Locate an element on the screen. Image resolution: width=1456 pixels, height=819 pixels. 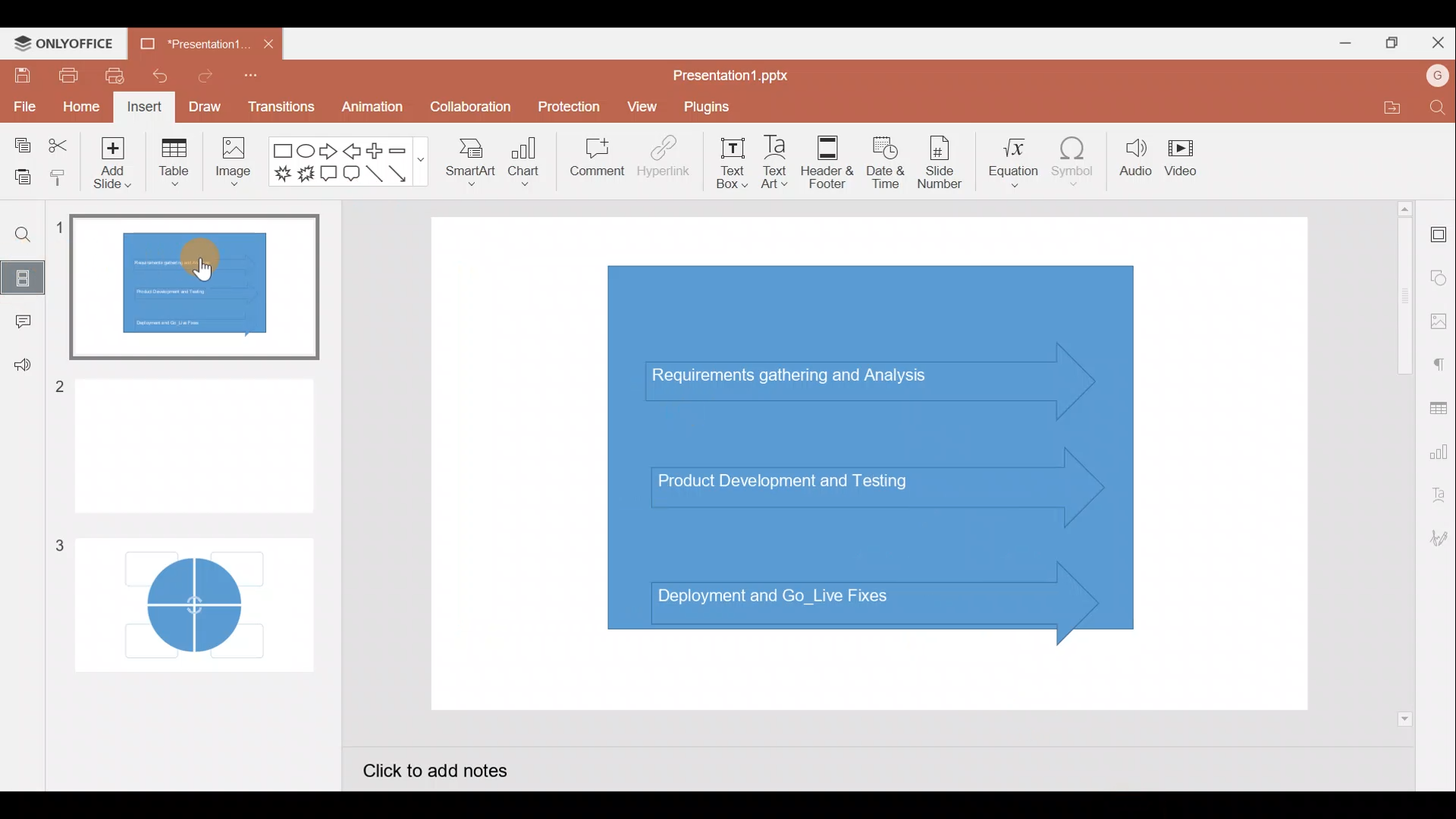
Open file location is located at coordinates (1382, 107).